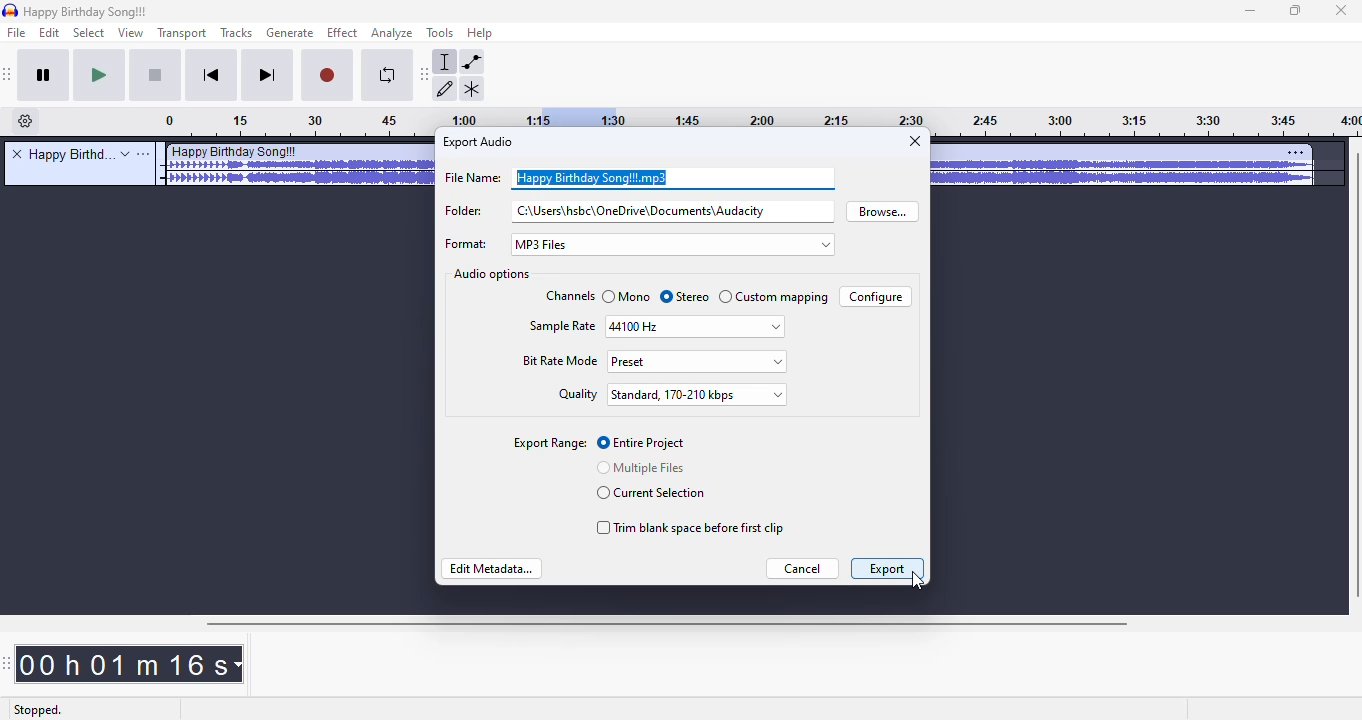  I want to click on export audio, so click(480, 142).